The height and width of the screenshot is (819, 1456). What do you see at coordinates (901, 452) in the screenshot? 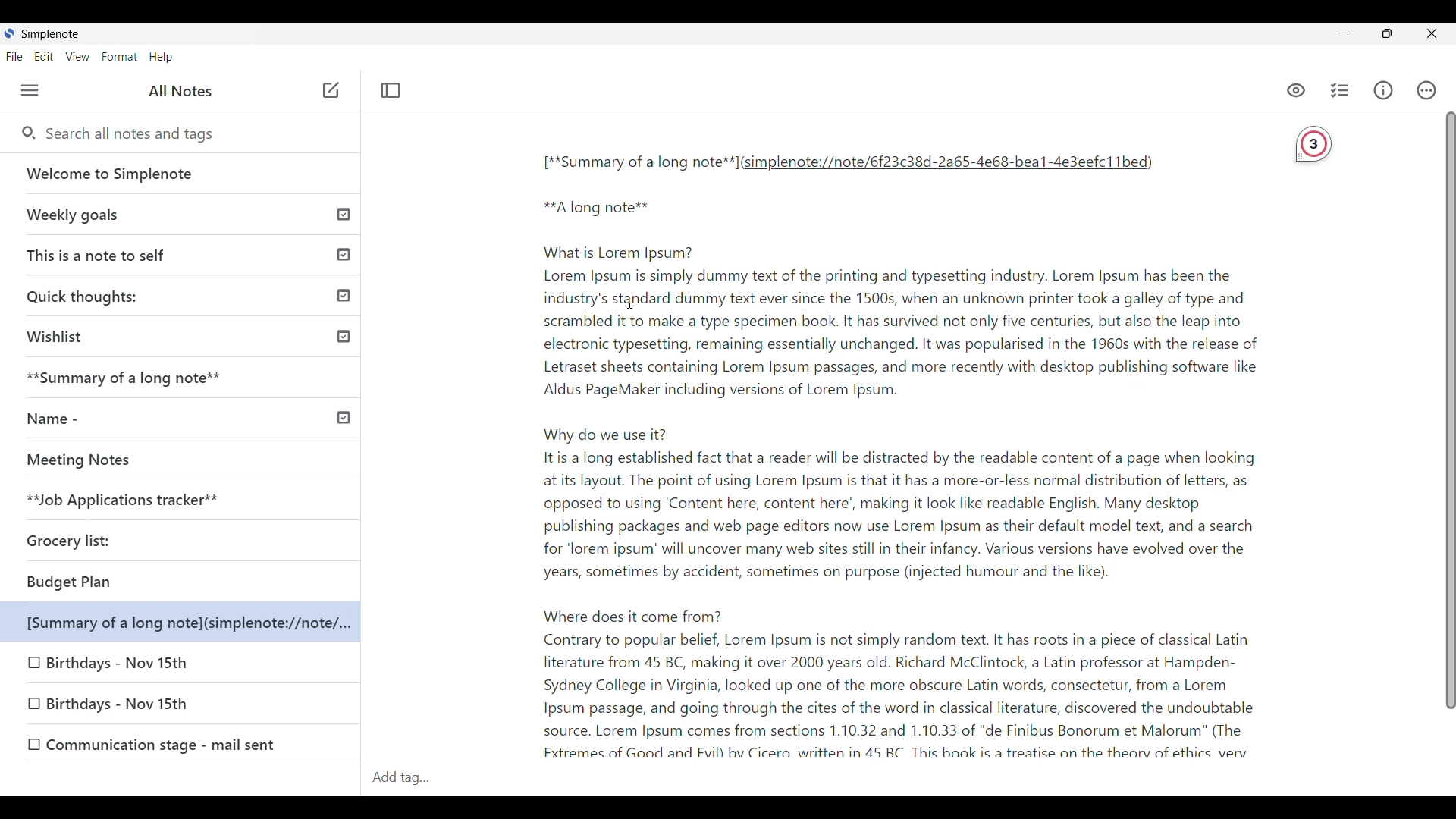
I see `[**Summary of a long note**](simplenote://note/6f23¢38d-2a65-4e68-bea1-4e3eefc1bed)

**A long note**

What is Lorem Ipsum?

Lorem Ipsum is simply dummy text of the printing and typesetting industry. Lorem Ipsum has been the
industry's standard dummy text ever since the 1500s, when an unknown printer took a galley of type and
scrambled it to make a type specimen book. It has survived not only five centuries, but also the leap into
electronic typesetting, remaining essentially unchanged. It was popularised in the 1960s with the release of
Letraset sheets containing Lorem Ipsum passages, and more recently with desktop publishing software like
Aldus PageMaker including versions of Lorem Ipsum.

Why do we use it?

Itis a long established fact that a reader will be distracted by the readable content of a page when looking
at its layout. The point of using Lorem Ipsum is that it has a more-or-less normal distribution of letters, as
opposed to using ‘Content here, content here’, making it look like readable English. Many desktop
publishing packages and web page editors now use Lorem Ipsum as their default model text, and a search
for ‘lorem ipsum’ will uncover many web sites still in their infancy. Various versions have evolved over the
years, sometimes by accident, sometimes on purpose (injected humour and the like).

Where does it come from?

Contrary to popular belief, Lorem Ipsum is not simply random text. It has roots in a piece of classical Latin
literature from 45 BC, making it over 2000 years old. Richard McClintock, a Latin professor at Hampden-
Sydney College in Virginia, looked up one of the more obscure Latin words, consectetur, from a Lorem
Ipsum passage, and going through the cites of the word in classical literature, discovered the undoubtable
source. Lorem Ipsum comes from sections 1.10.32 and 1.10.33 of "de Finibus Bonorum et Malorum" (The` at bounding box center [901, 452].